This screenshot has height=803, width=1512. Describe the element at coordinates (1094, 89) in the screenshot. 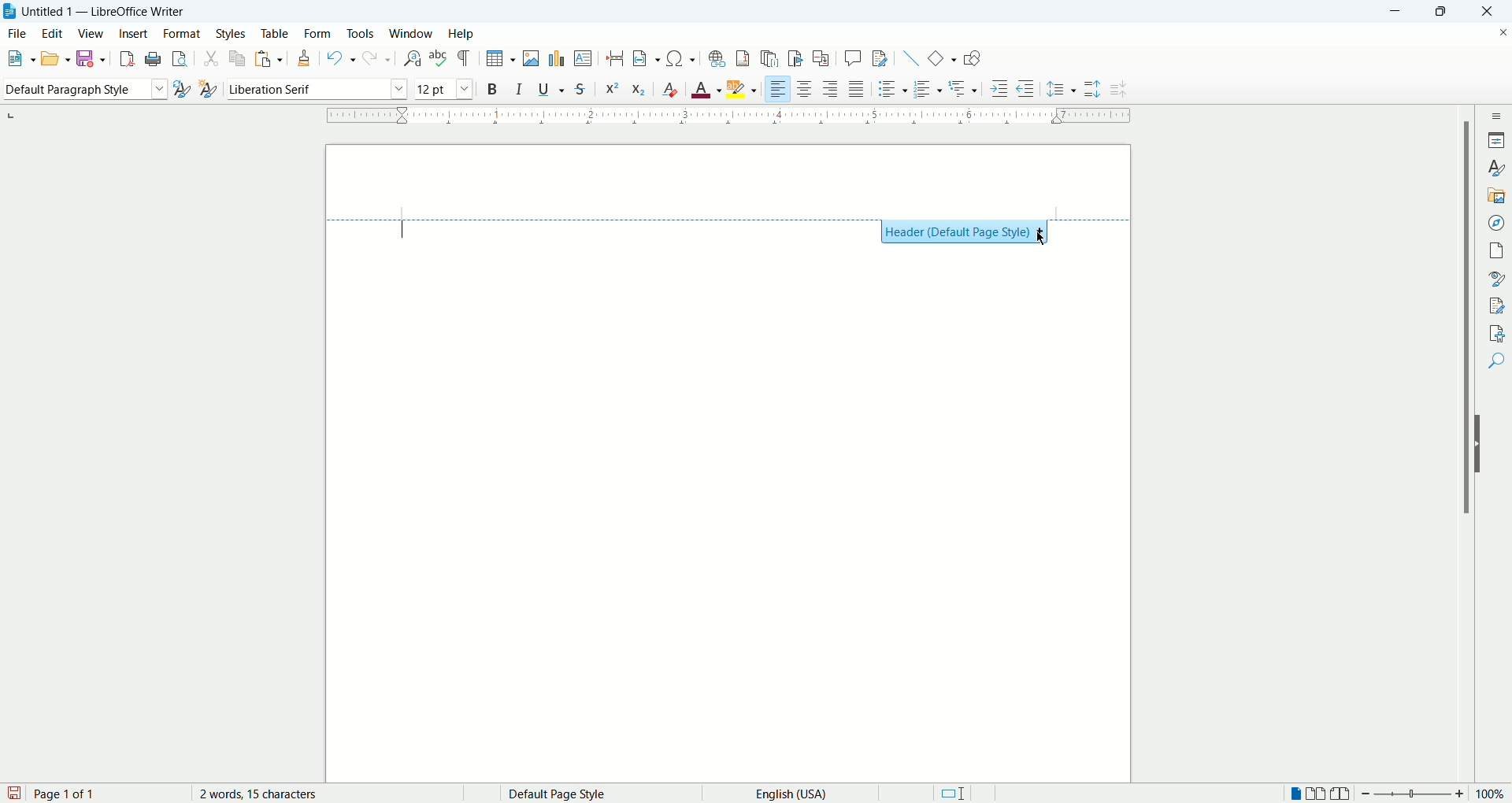

I see `increase paragraph spacing` at that location.